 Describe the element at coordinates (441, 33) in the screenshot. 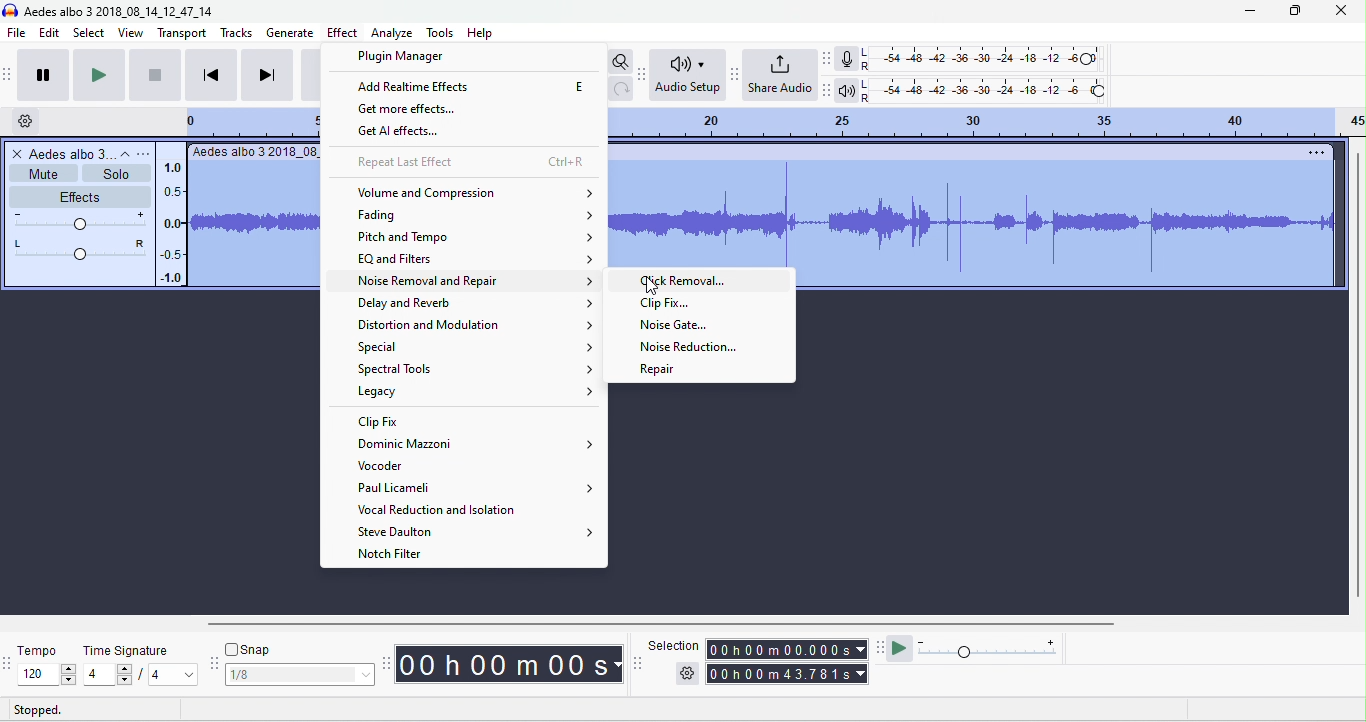

I see `tools` at that location.